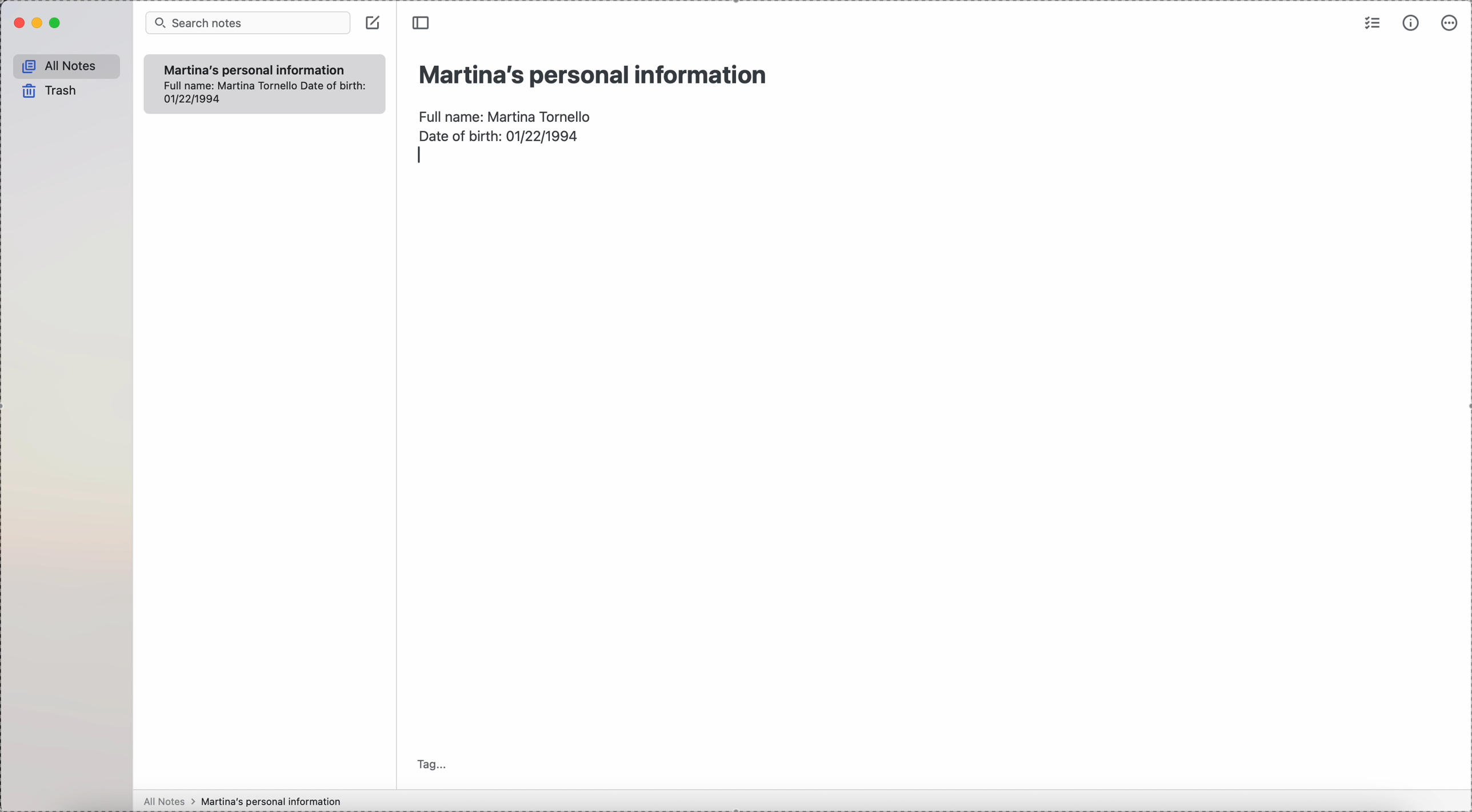  I want to click on minimize Simplenote, so click(39, 23).